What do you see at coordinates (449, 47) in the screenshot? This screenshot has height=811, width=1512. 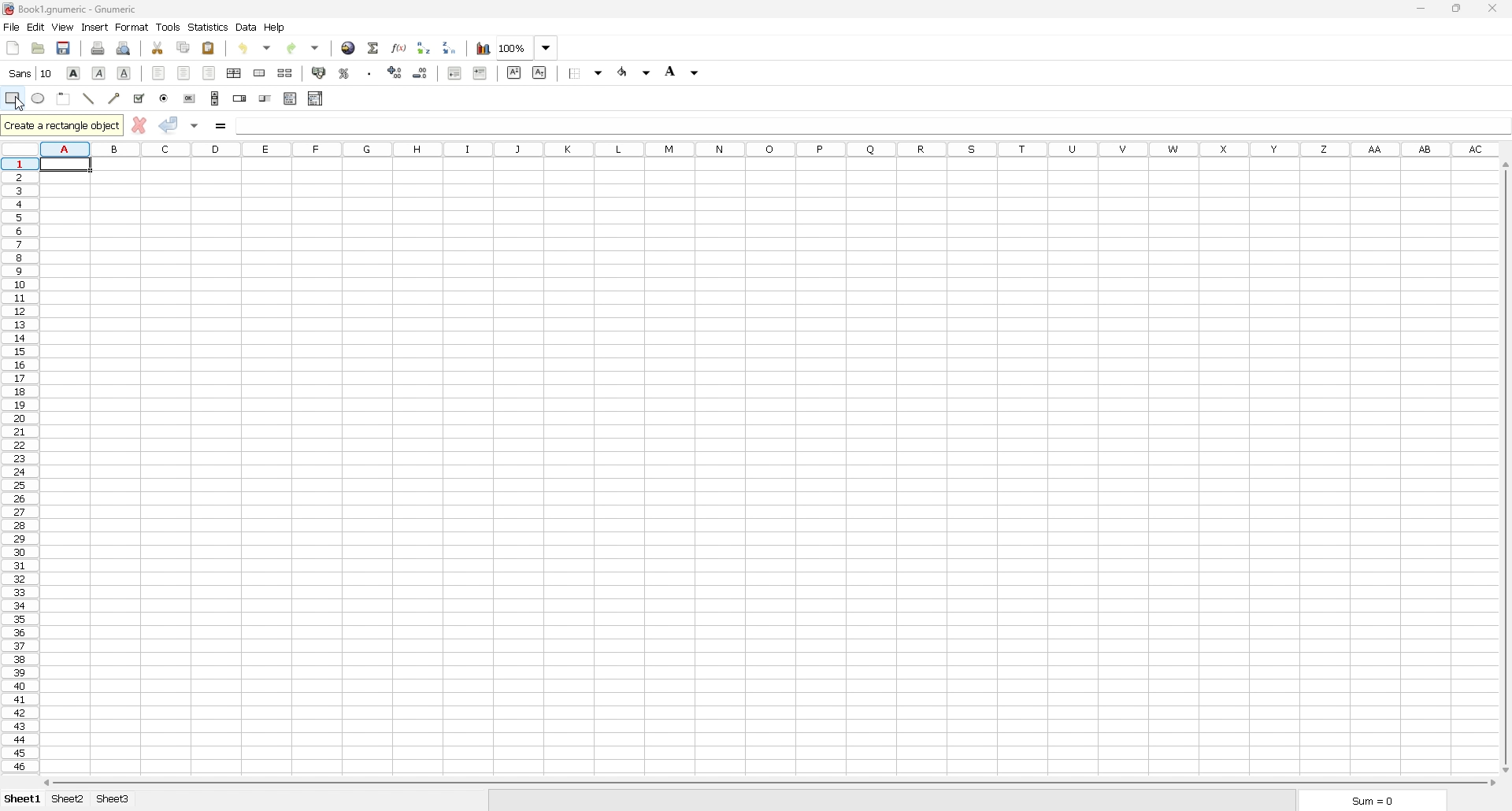 I see `sort descending` at bounding box center [449, 47].